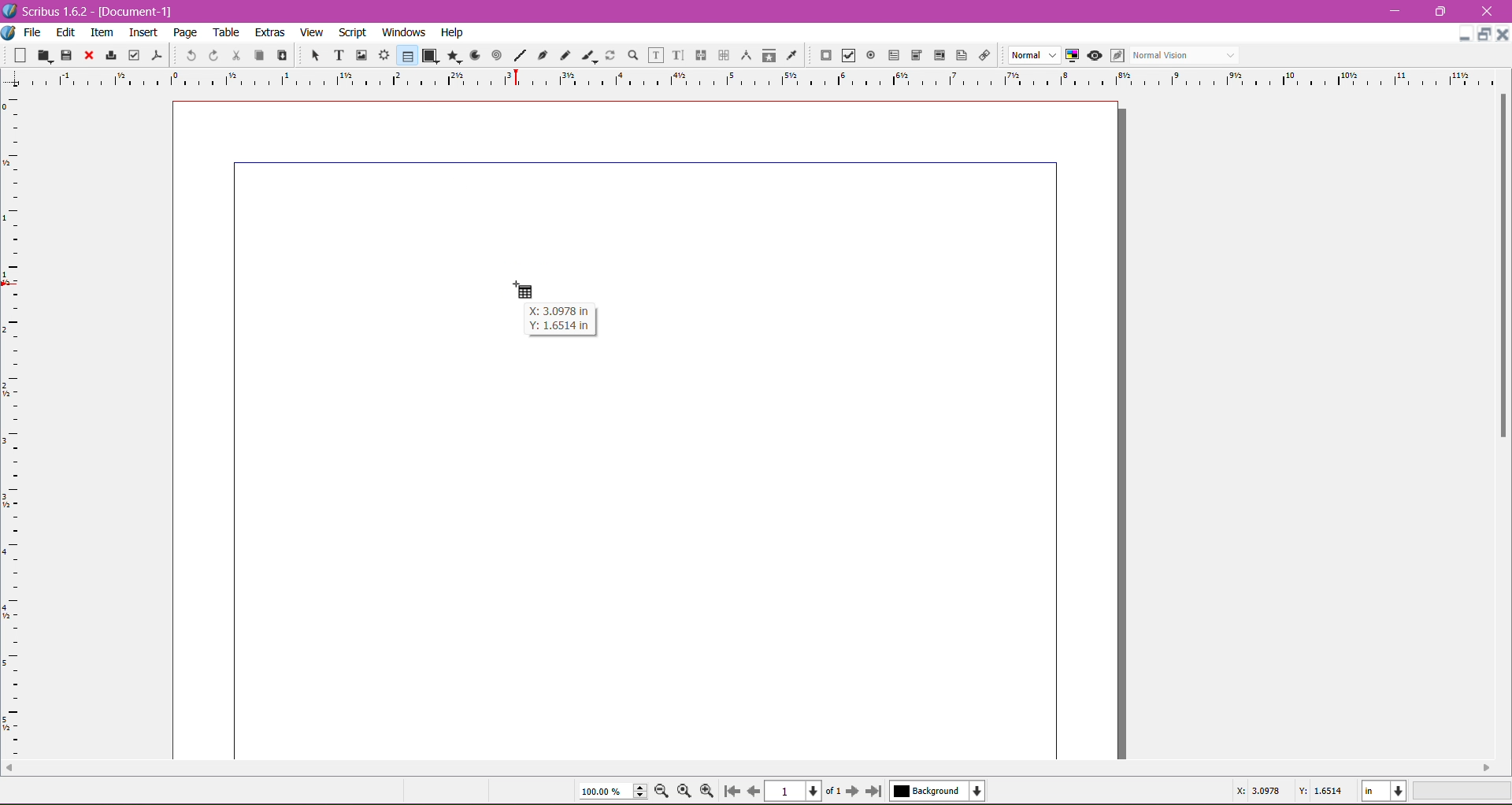 The width and height of the screenshot is (1512, 805). Describe the element at coordinates (452, 33) in the screenshot. I see `Help` at that location.